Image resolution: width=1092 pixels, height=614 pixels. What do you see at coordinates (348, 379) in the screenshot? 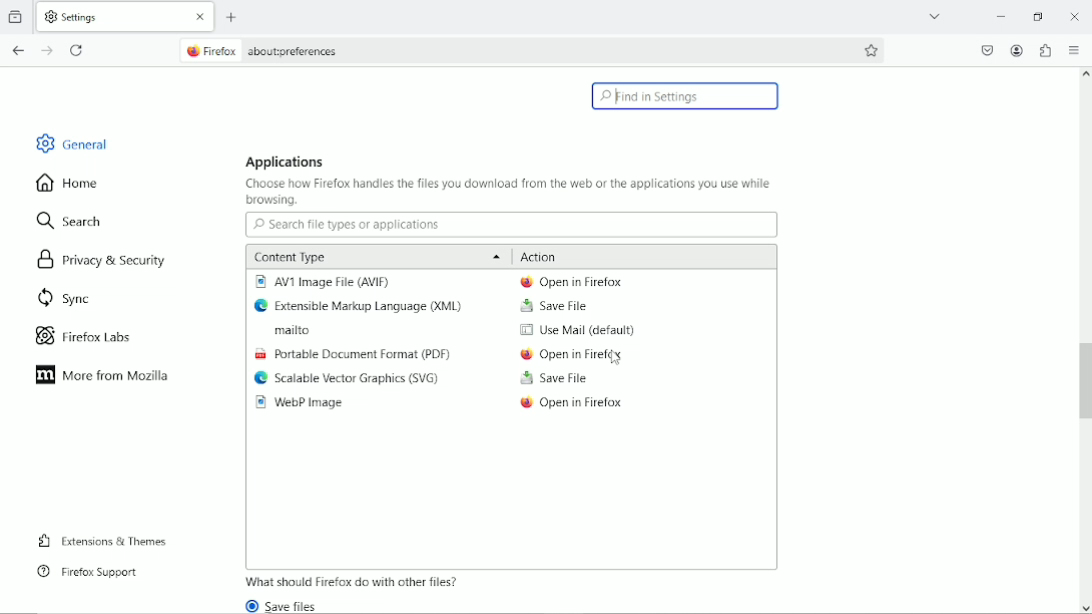
I see `Scalable Vector Graphics` at bounding box center [348, 379].